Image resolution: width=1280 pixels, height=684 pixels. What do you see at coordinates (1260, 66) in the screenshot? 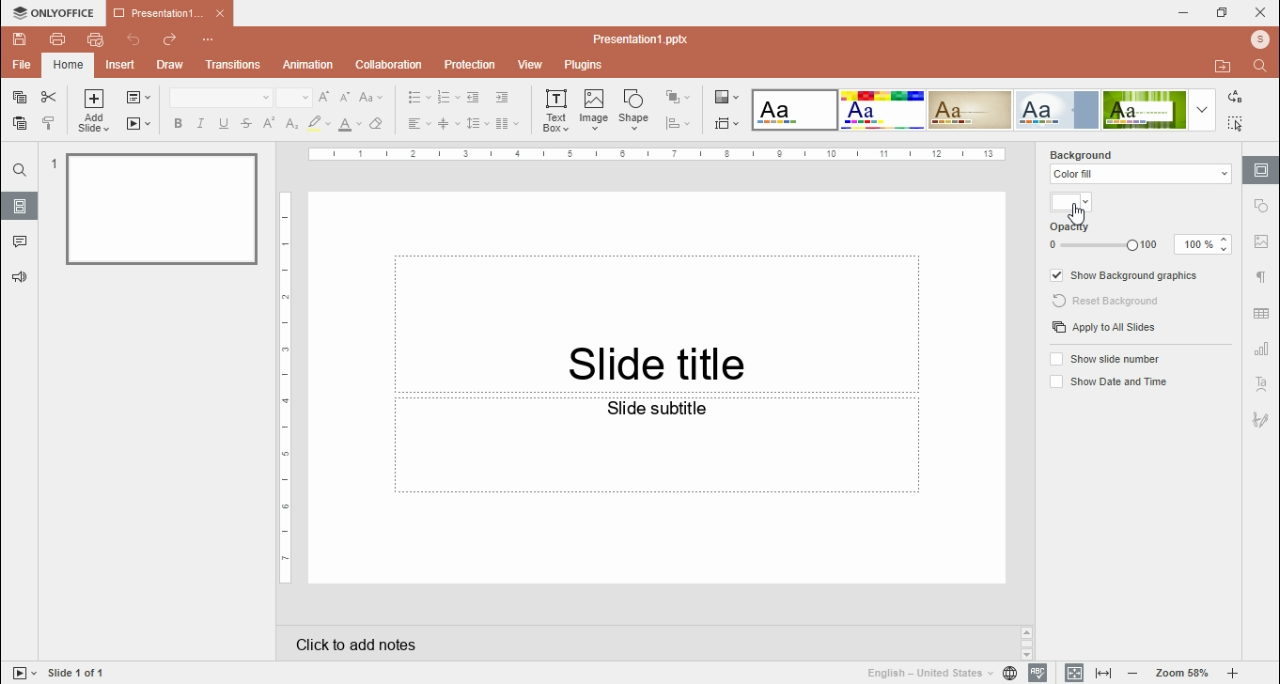
I see `find` at bounding box center [1260, 66].